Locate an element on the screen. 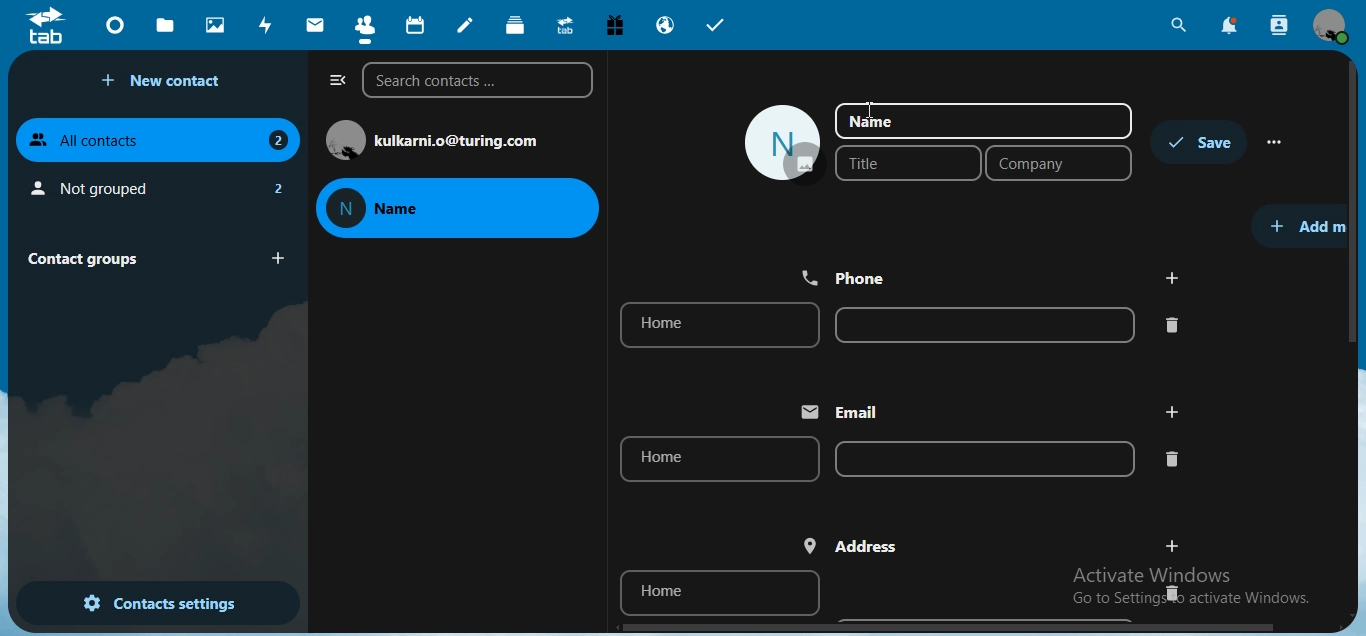 This screenshot has width=1366, height=636. activity is located at coordinates (265, 25).